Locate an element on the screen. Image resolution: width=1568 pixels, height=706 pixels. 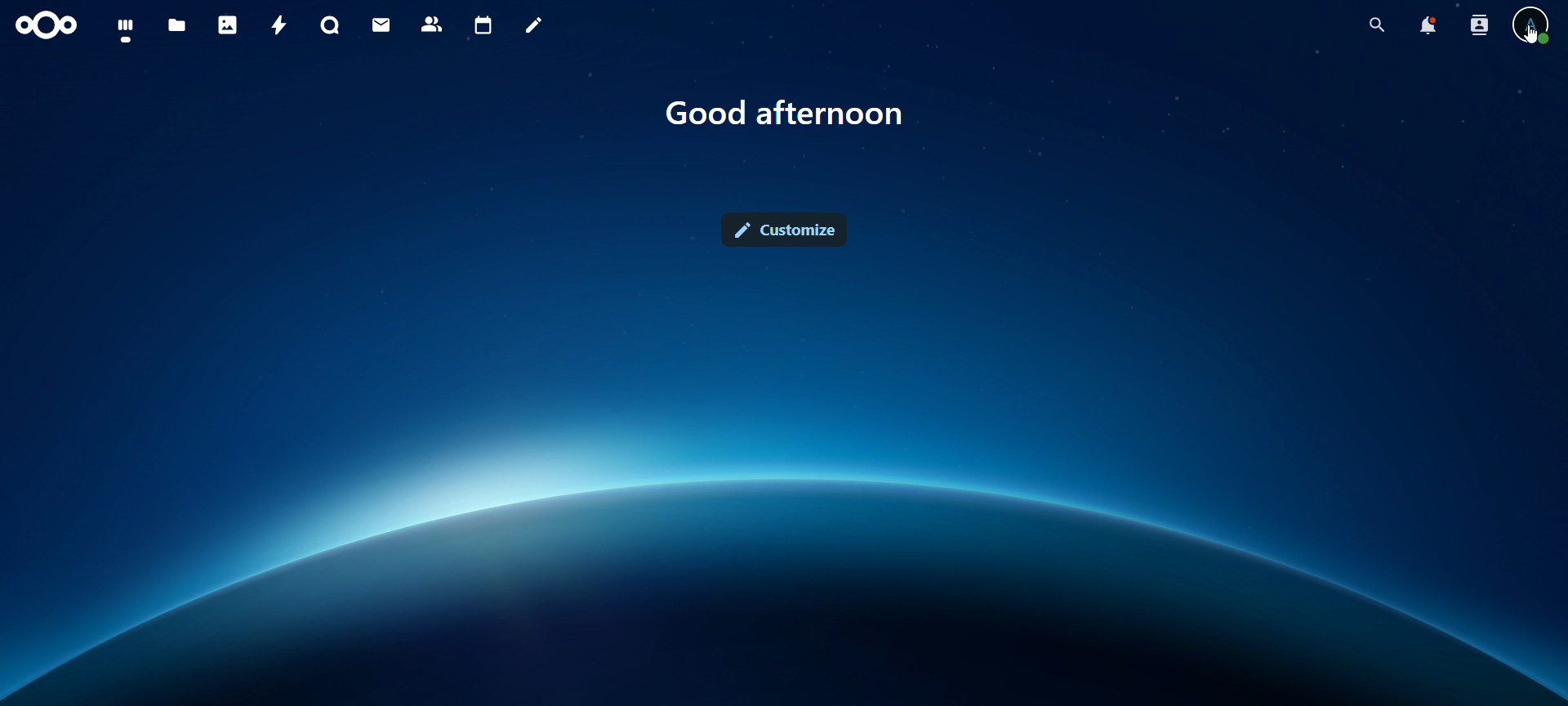
dashboard is located at coordinates (127, 29).